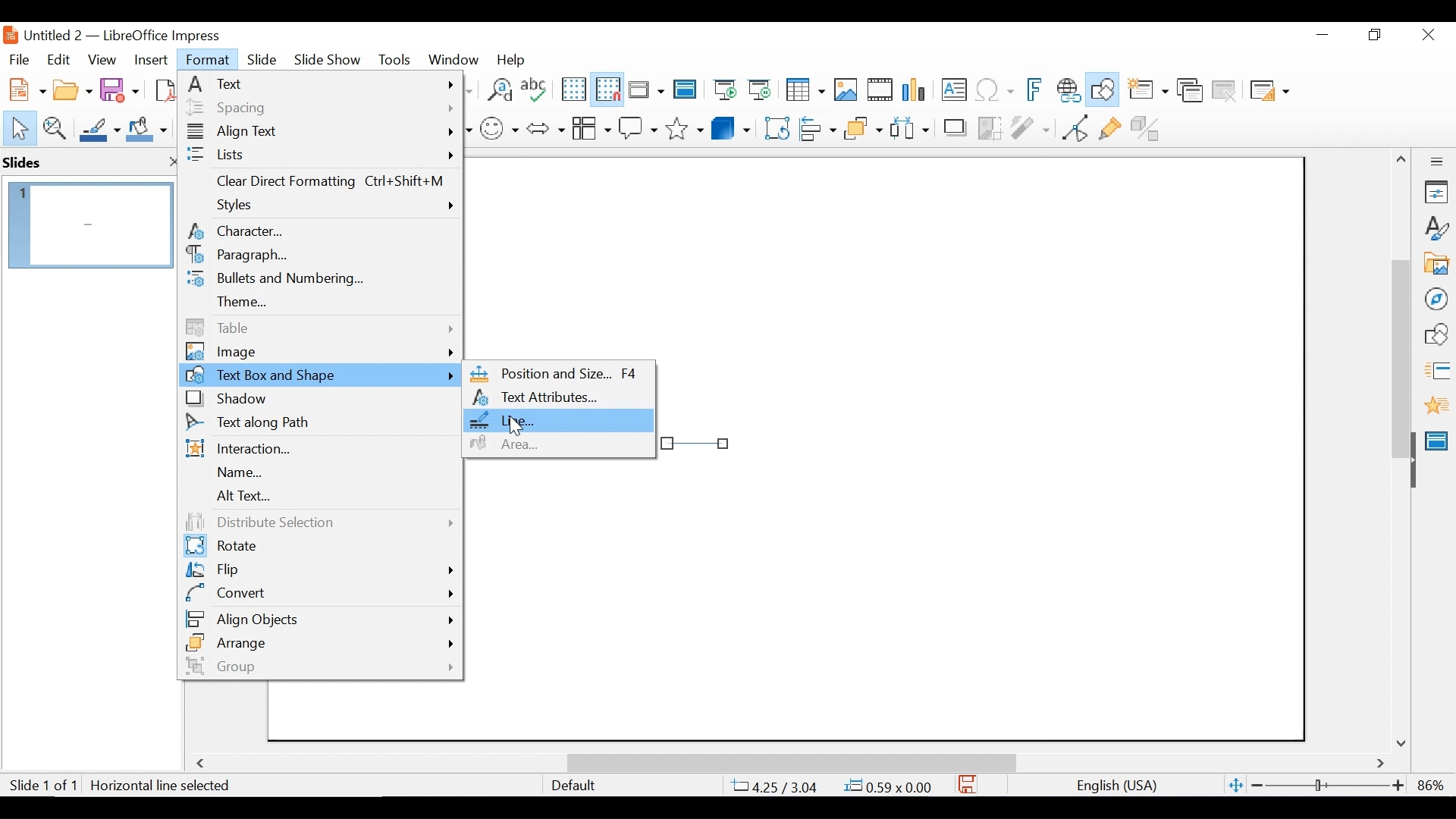 The image size is (1456, 819). Describe the element at coordinates (1436, 334) in the screenshot. I see `Shapes` at that location.